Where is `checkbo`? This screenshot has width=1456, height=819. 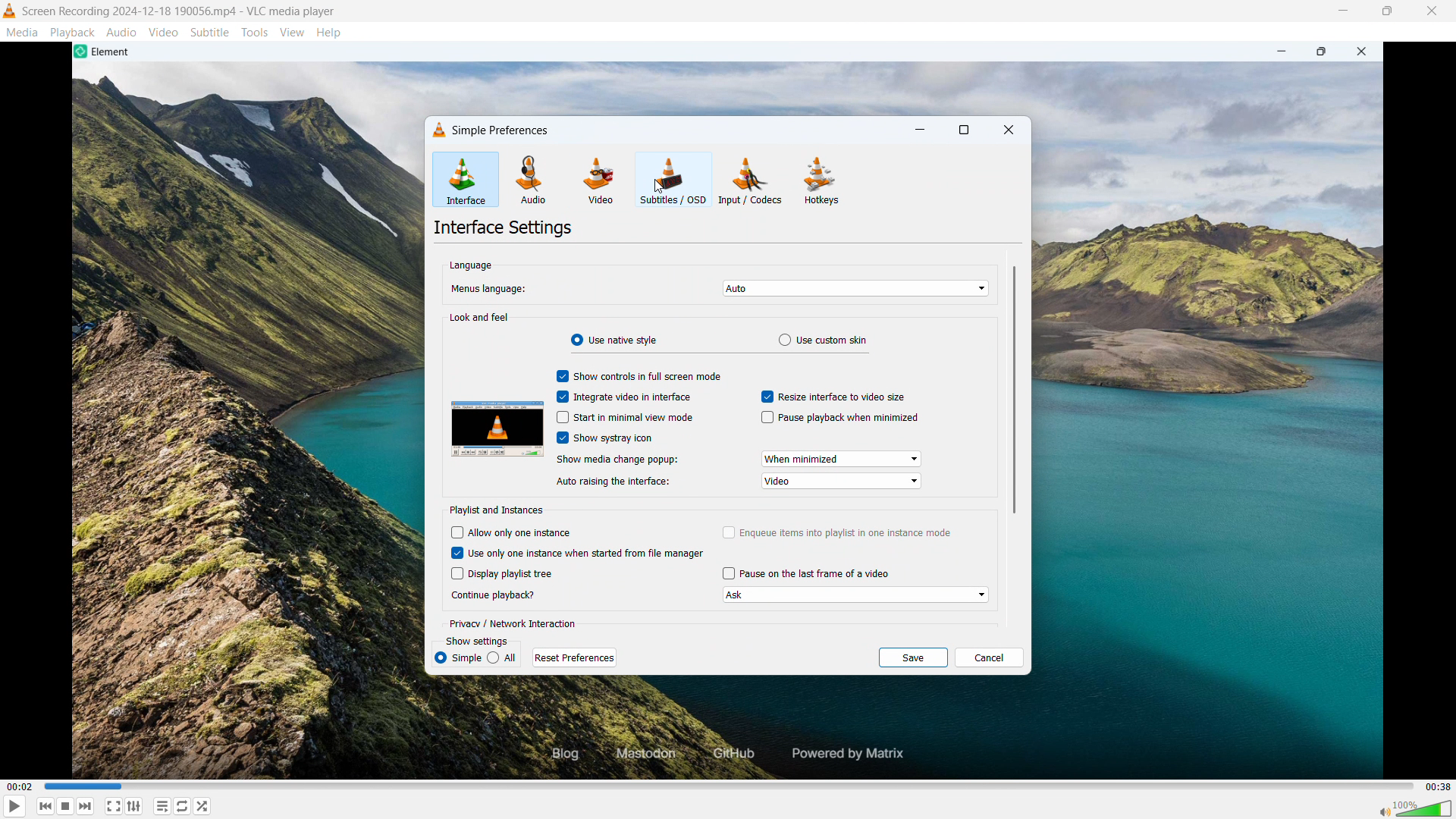
checkbo is located at coordinates (452, 574).